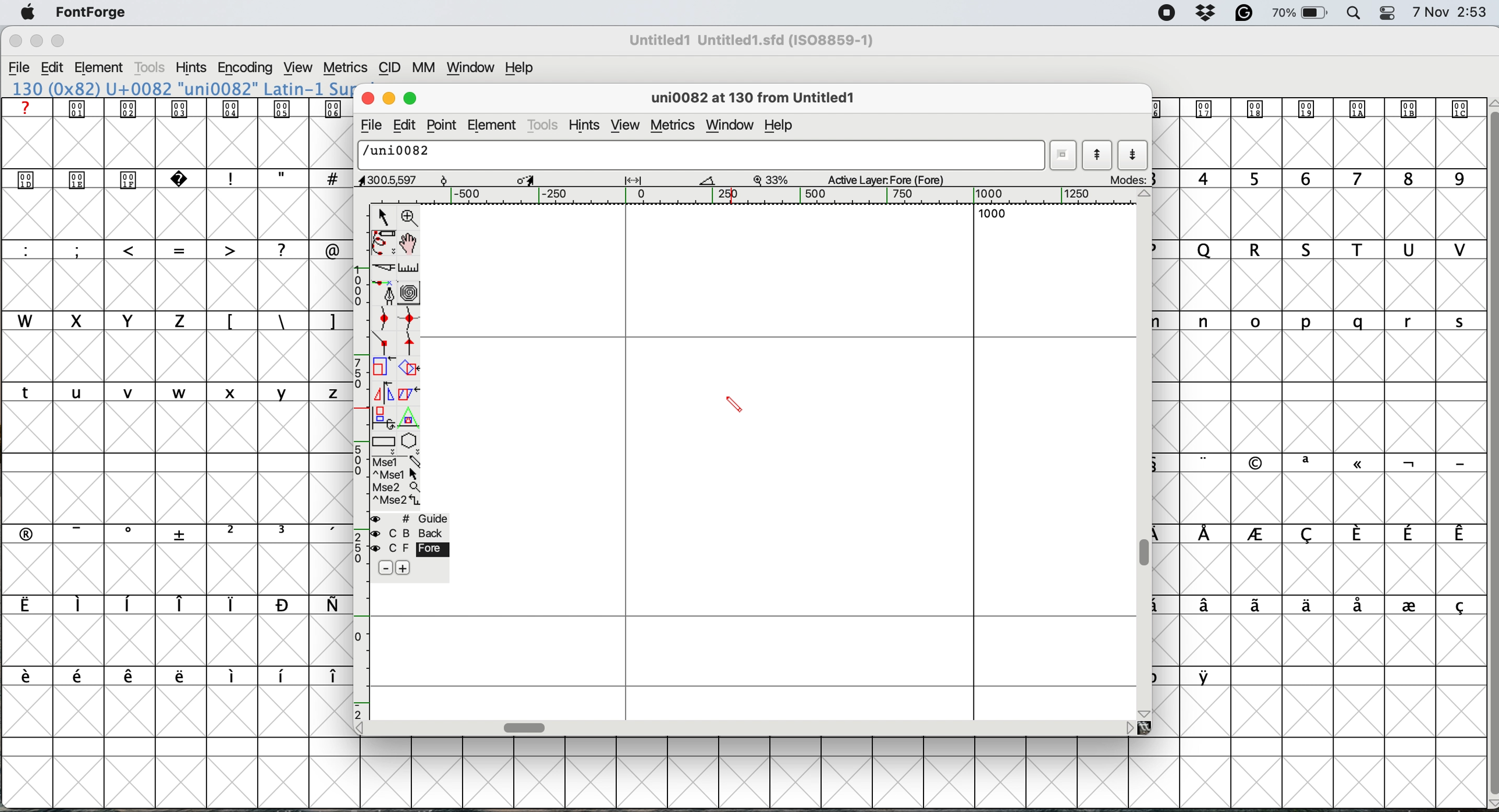 This screenshot has height=812, width=1499. Describe the element at coordinates (379, 268) in the screenshot. I see `cut splines in two` at that location.